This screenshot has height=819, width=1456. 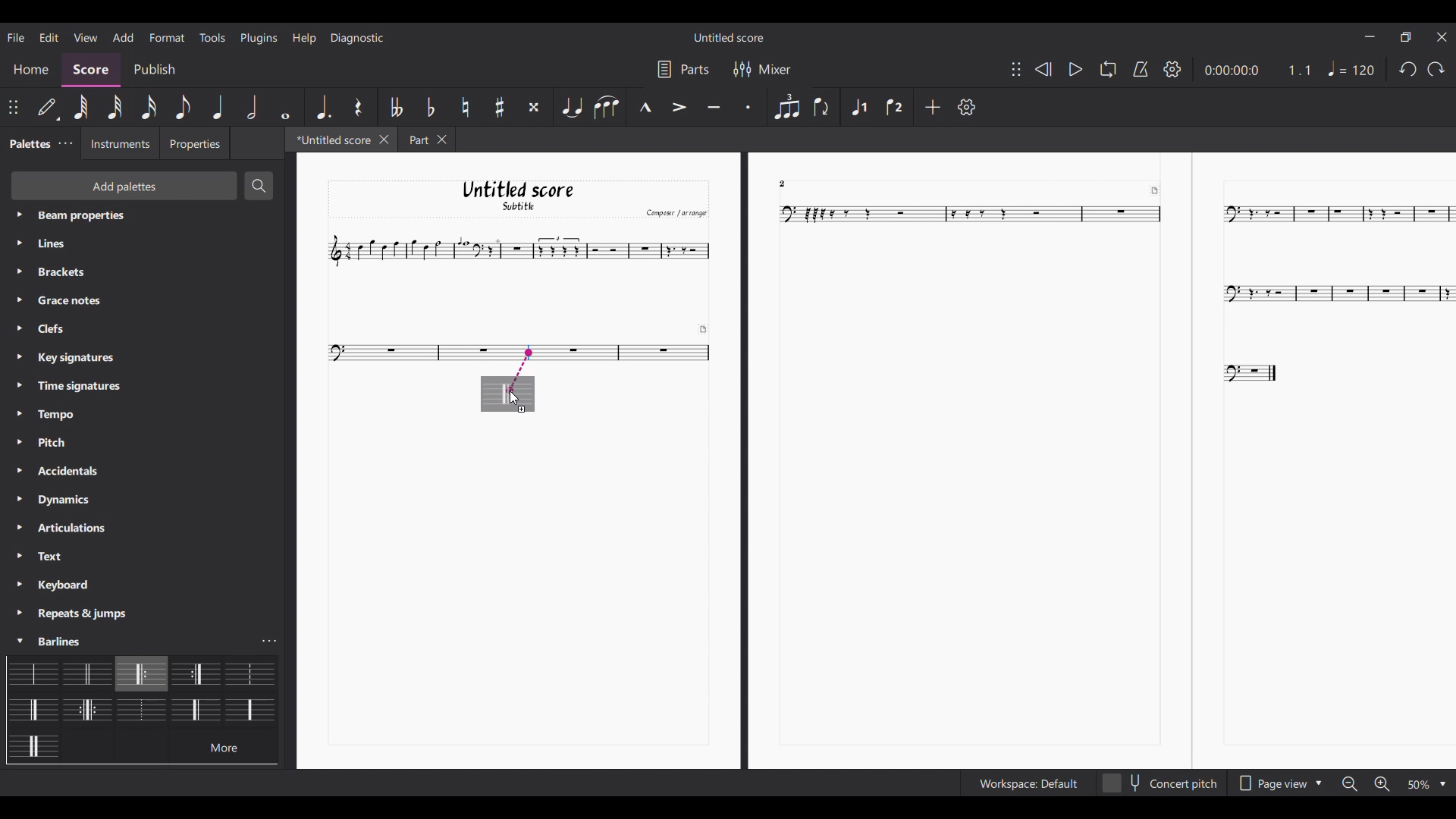 What do you see at coordinates (1257, 70) in the screenshot?
I see `Current score duration and ratio` at bounding box center [1257, 70].